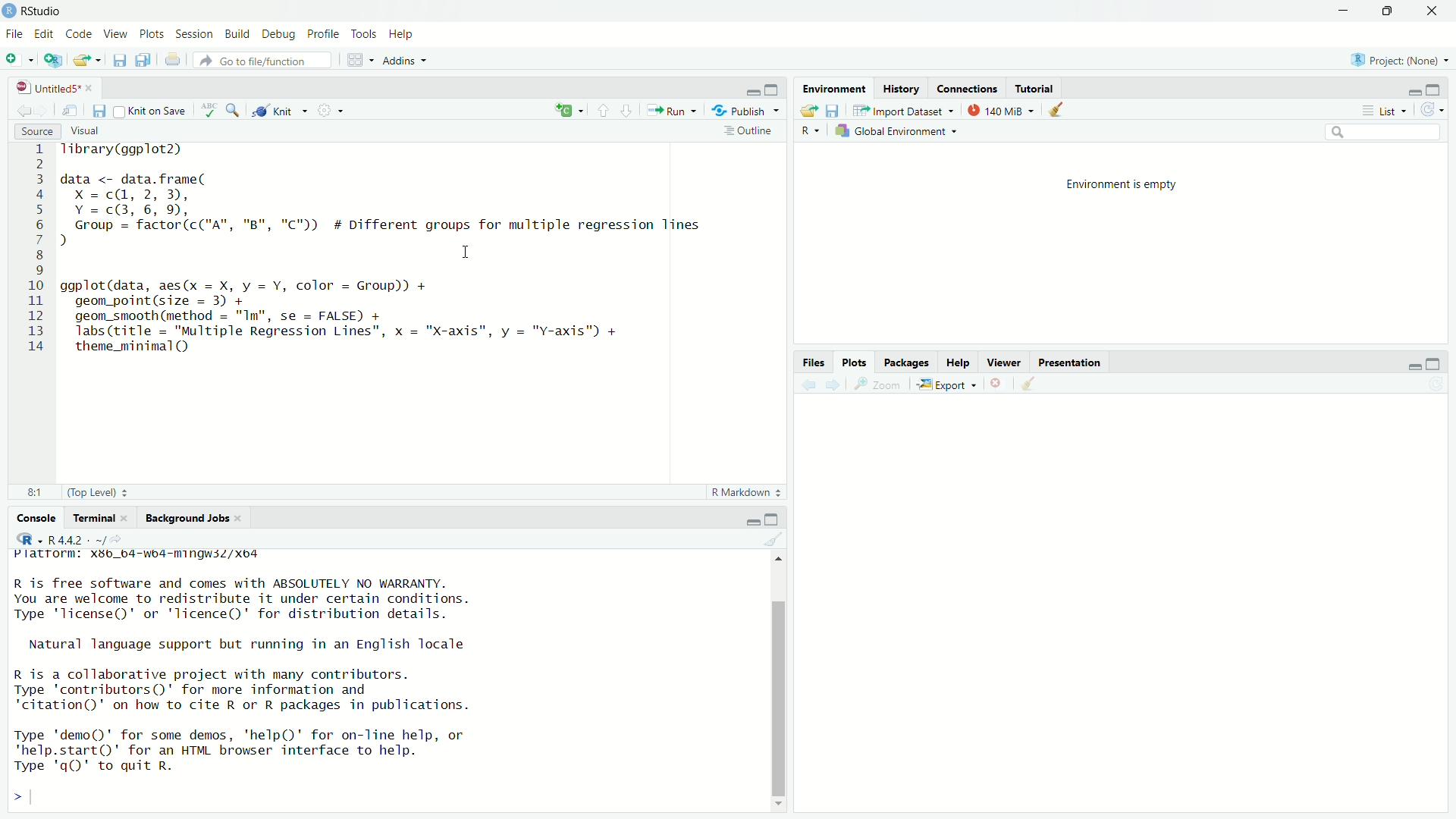  What do you see at coordinates (749, 89) in the screenshot?
I see `minimise` at bounding box center [749, 89].